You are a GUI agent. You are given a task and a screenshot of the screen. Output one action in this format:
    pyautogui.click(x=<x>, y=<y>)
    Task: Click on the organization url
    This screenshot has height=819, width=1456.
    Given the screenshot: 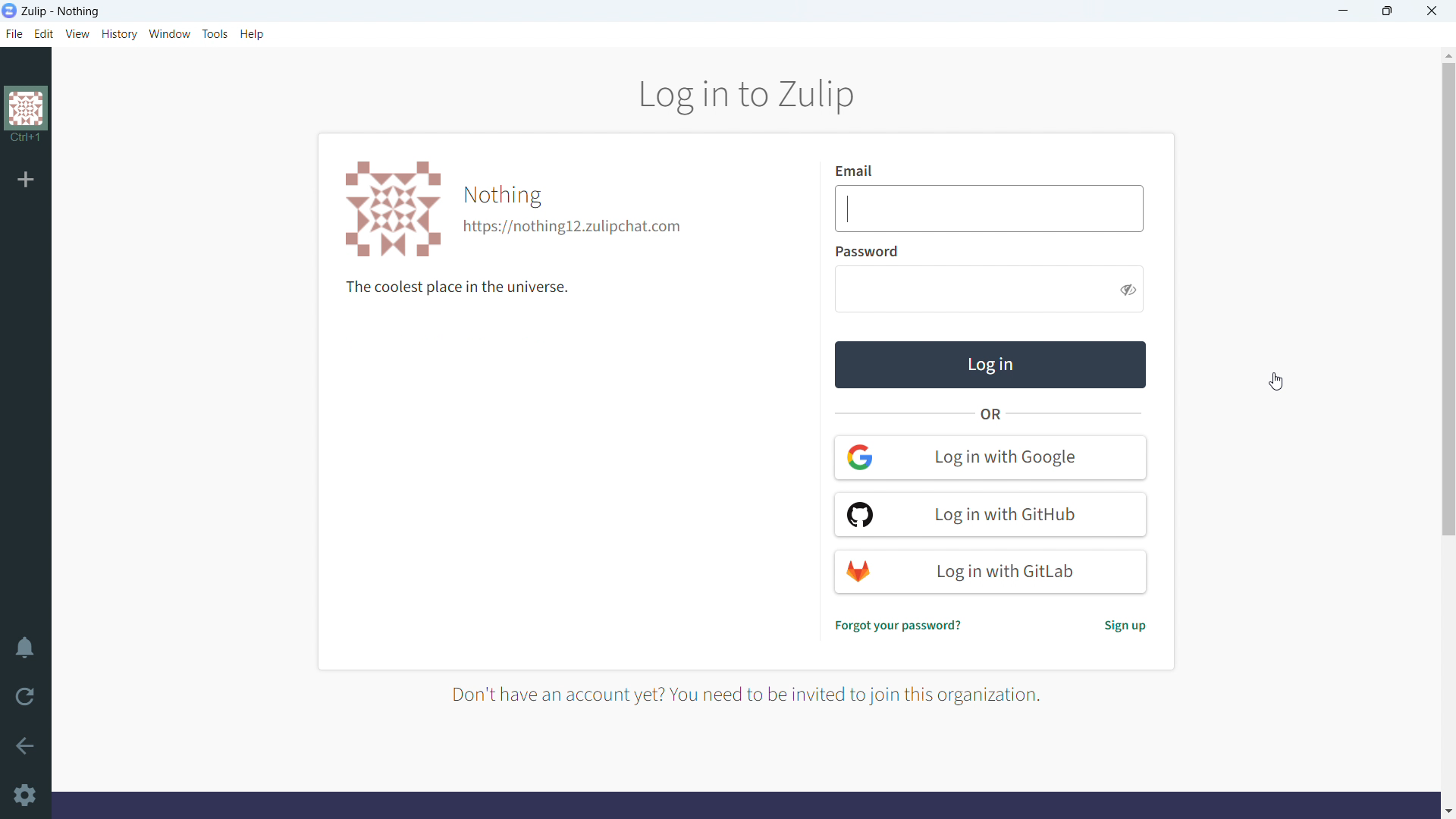 What is the action you would take?
    pyautogui.click(x=573, y=227)
    